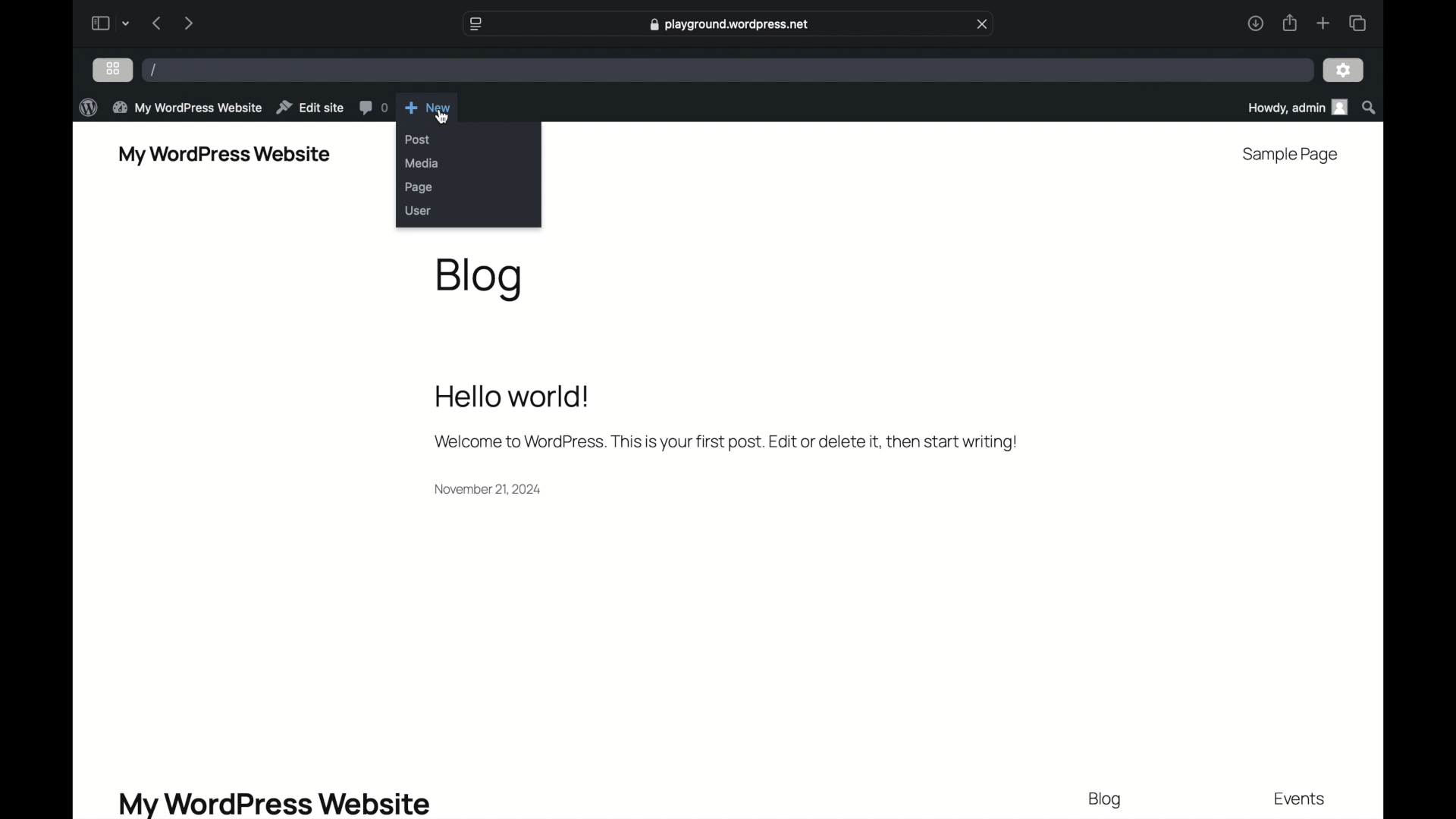 The image size is (1456, 819). What do you see at coordinates (99, 23) in the screenshot?
I see `sidebar` at bounding box center [99, 23].